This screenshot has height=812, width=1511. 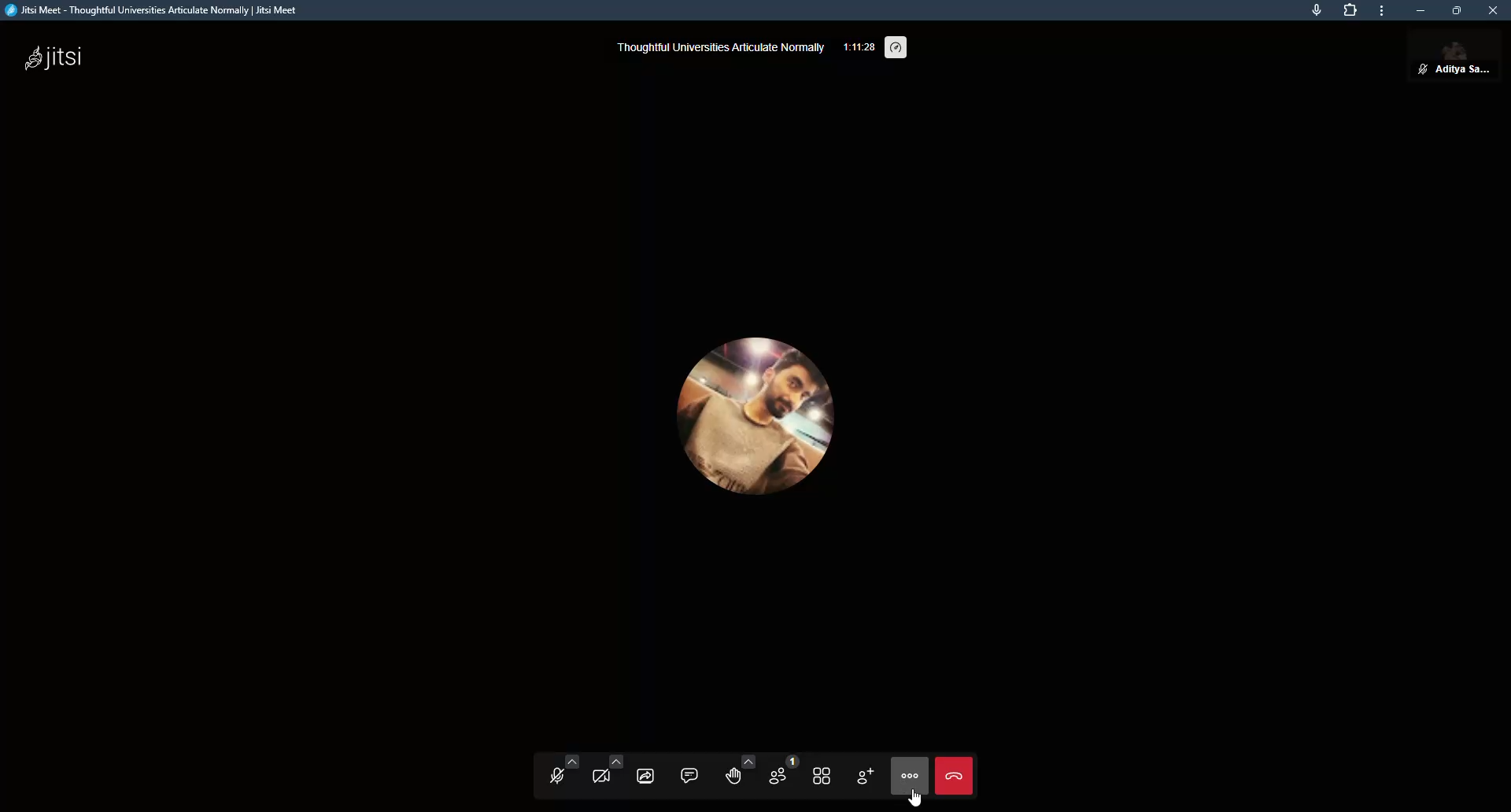 What do you see at coordinates (604, 779) in the screenshot?
I see `start camera` at bounding box center [604, 779].